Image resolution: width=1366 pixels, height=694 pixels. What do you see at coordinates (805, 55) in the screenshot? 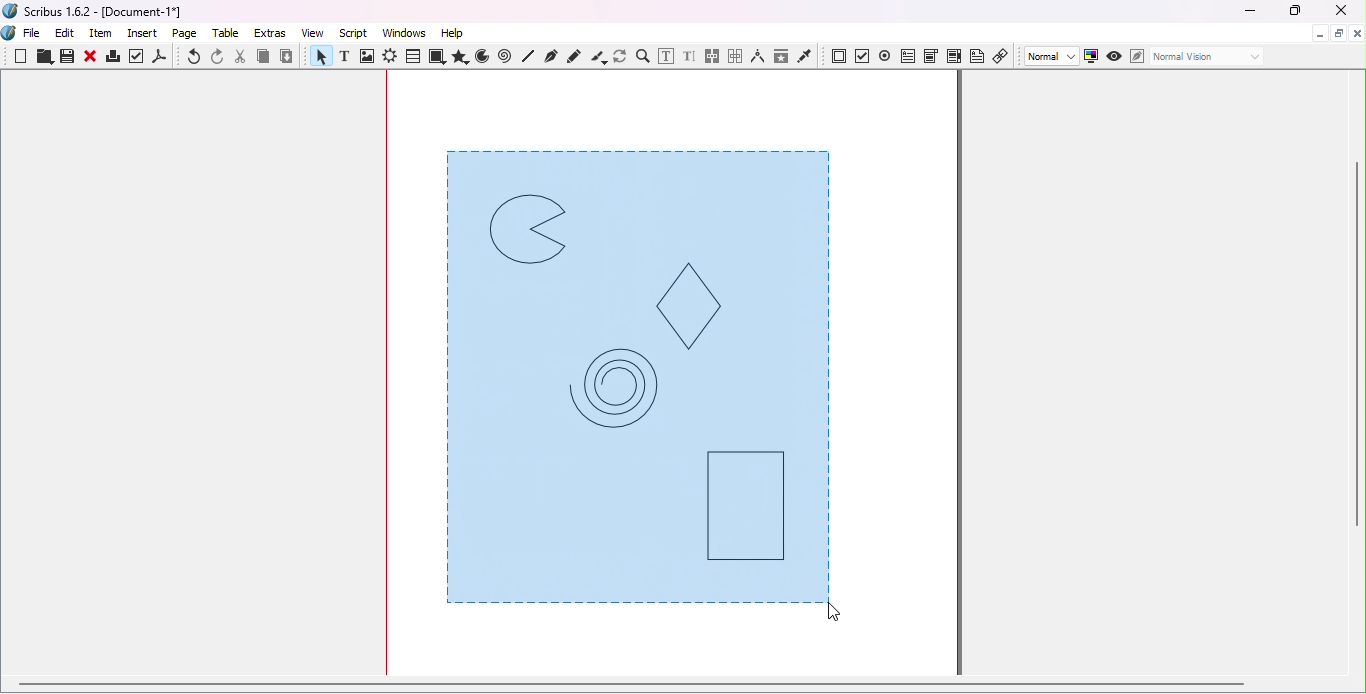
I see `Eye dropper` at bounding box center [805, 55].